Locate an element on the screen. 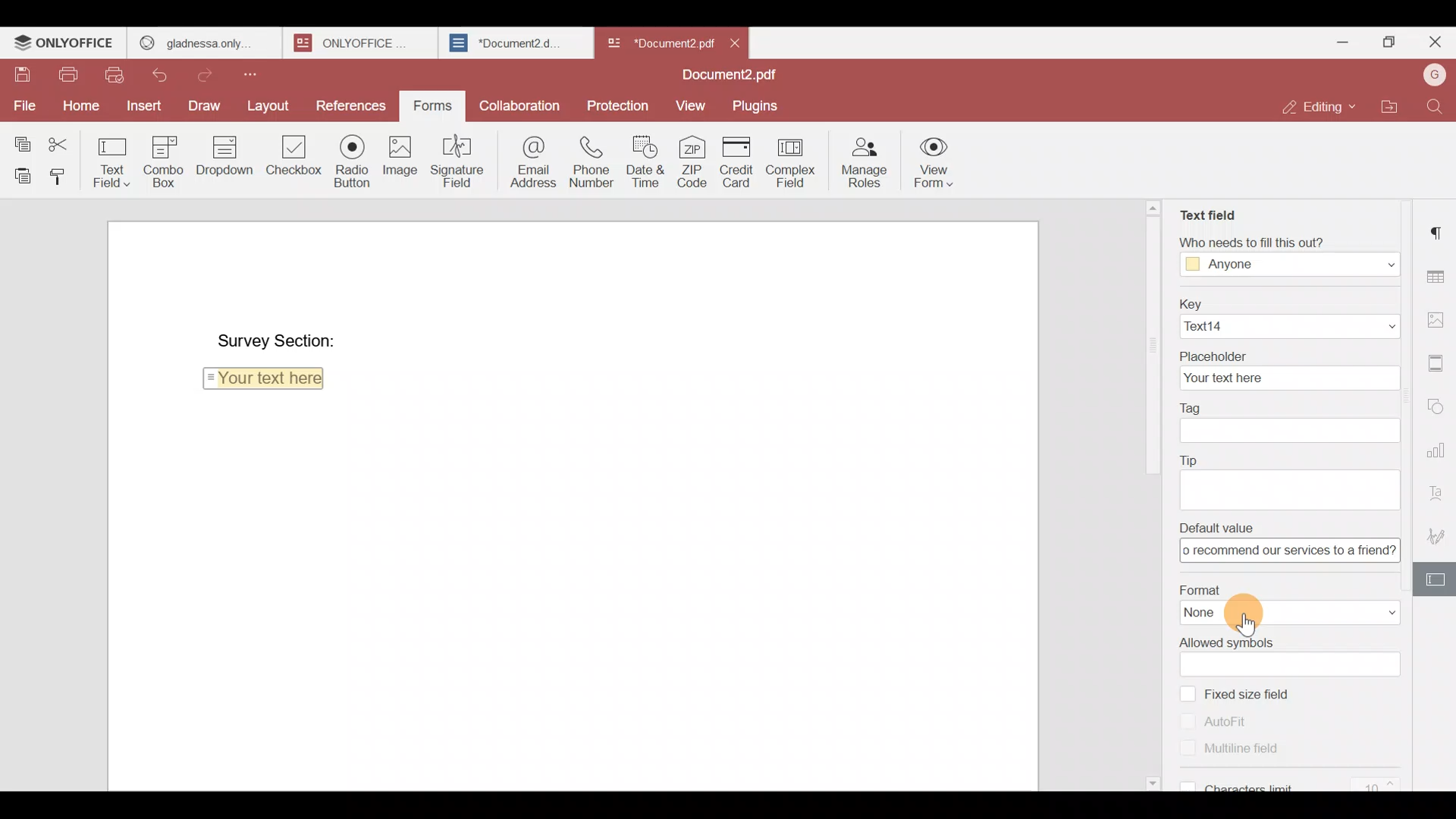 This screenshot has width=1456, height=819. ‘Who needs to fill this out? is located at coordinates (1296, 242).